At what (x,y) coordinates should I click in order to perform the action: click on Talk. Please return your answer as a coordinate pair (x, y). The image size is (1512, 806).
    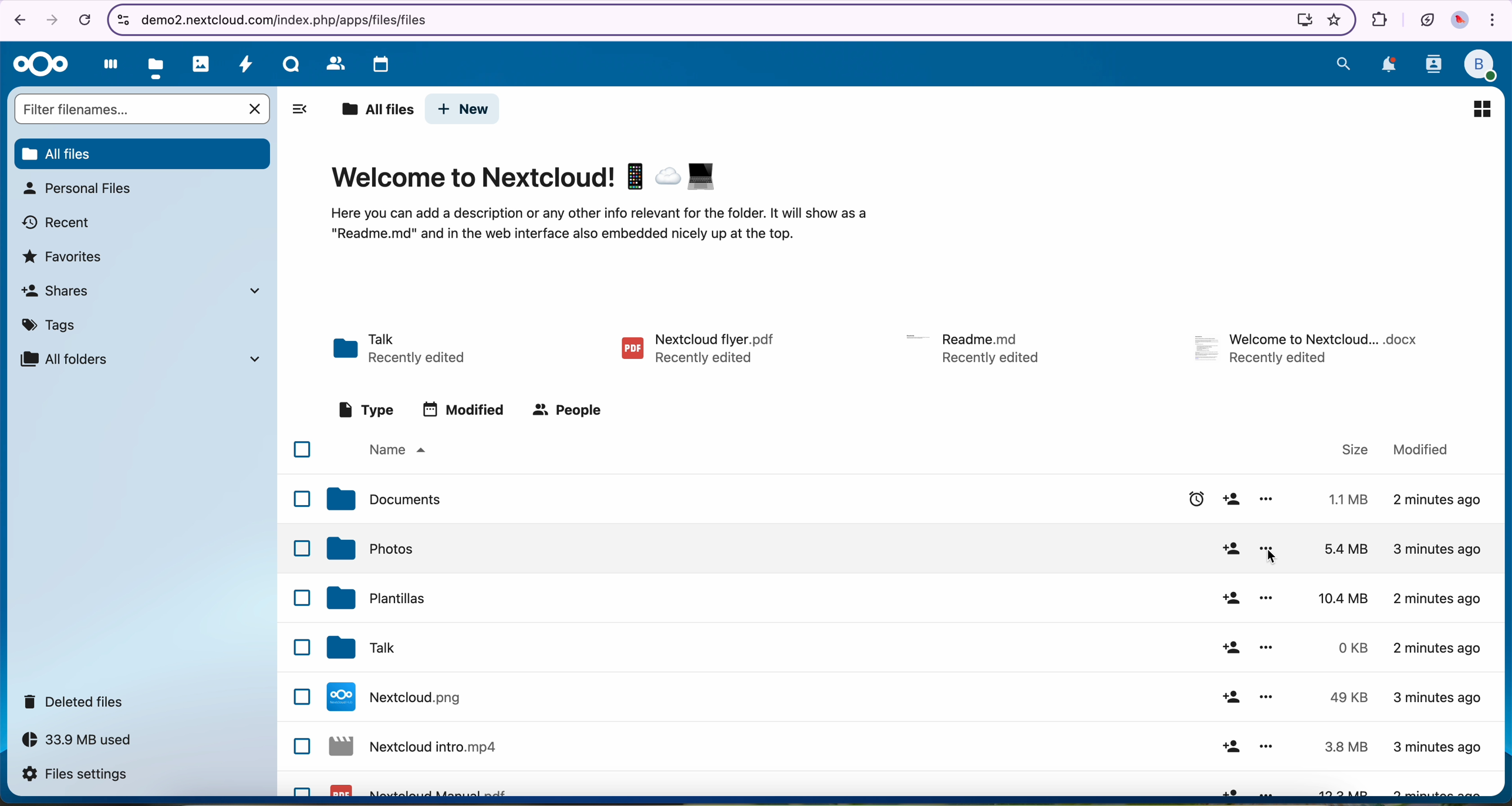
    Looking at the image, I should click on (292, 63).